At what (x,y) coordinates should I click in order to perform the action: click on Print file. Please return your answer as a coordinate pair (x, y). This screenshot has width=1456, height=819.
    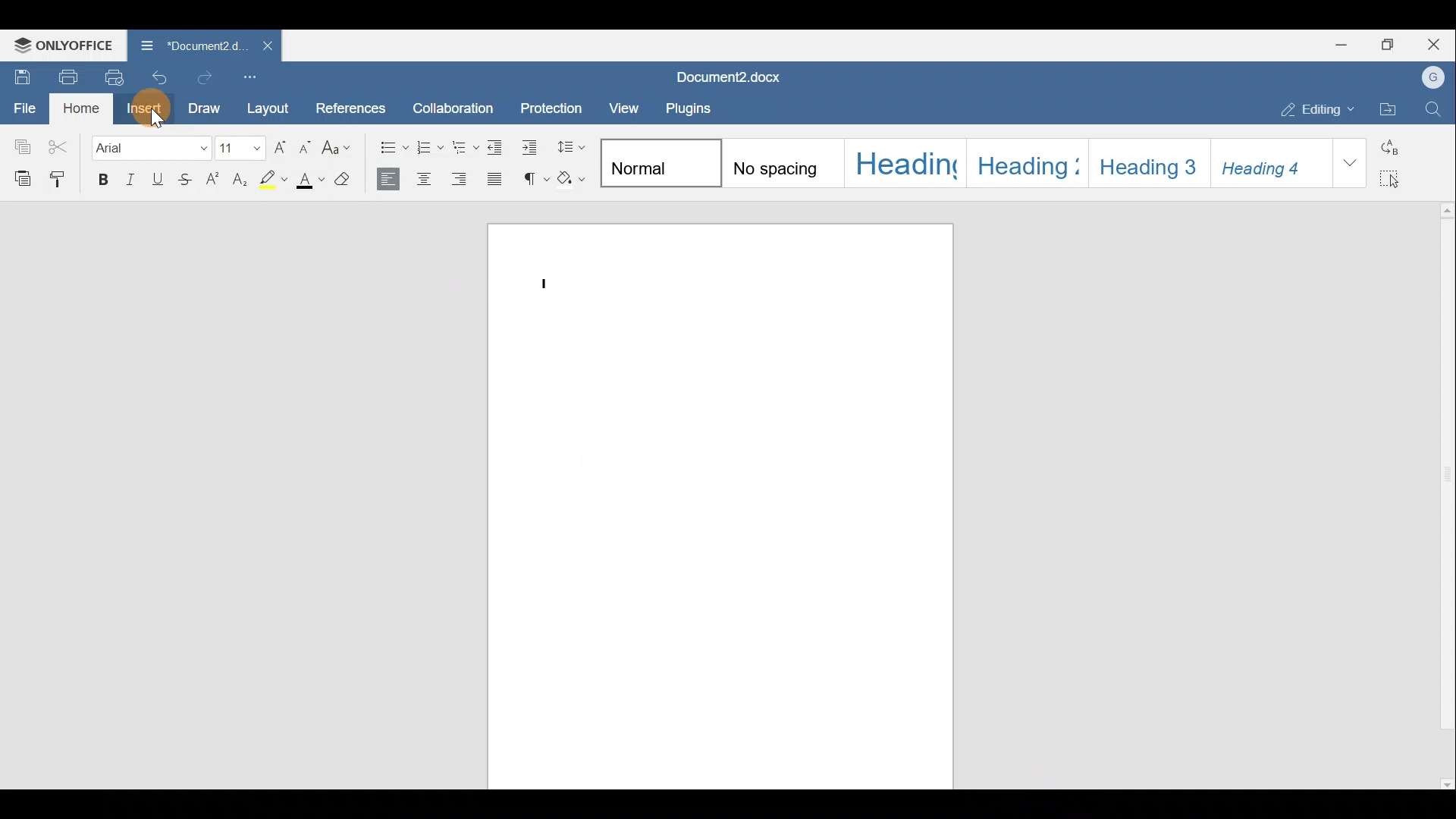
    Looking at the image, I should click on (67, 76).